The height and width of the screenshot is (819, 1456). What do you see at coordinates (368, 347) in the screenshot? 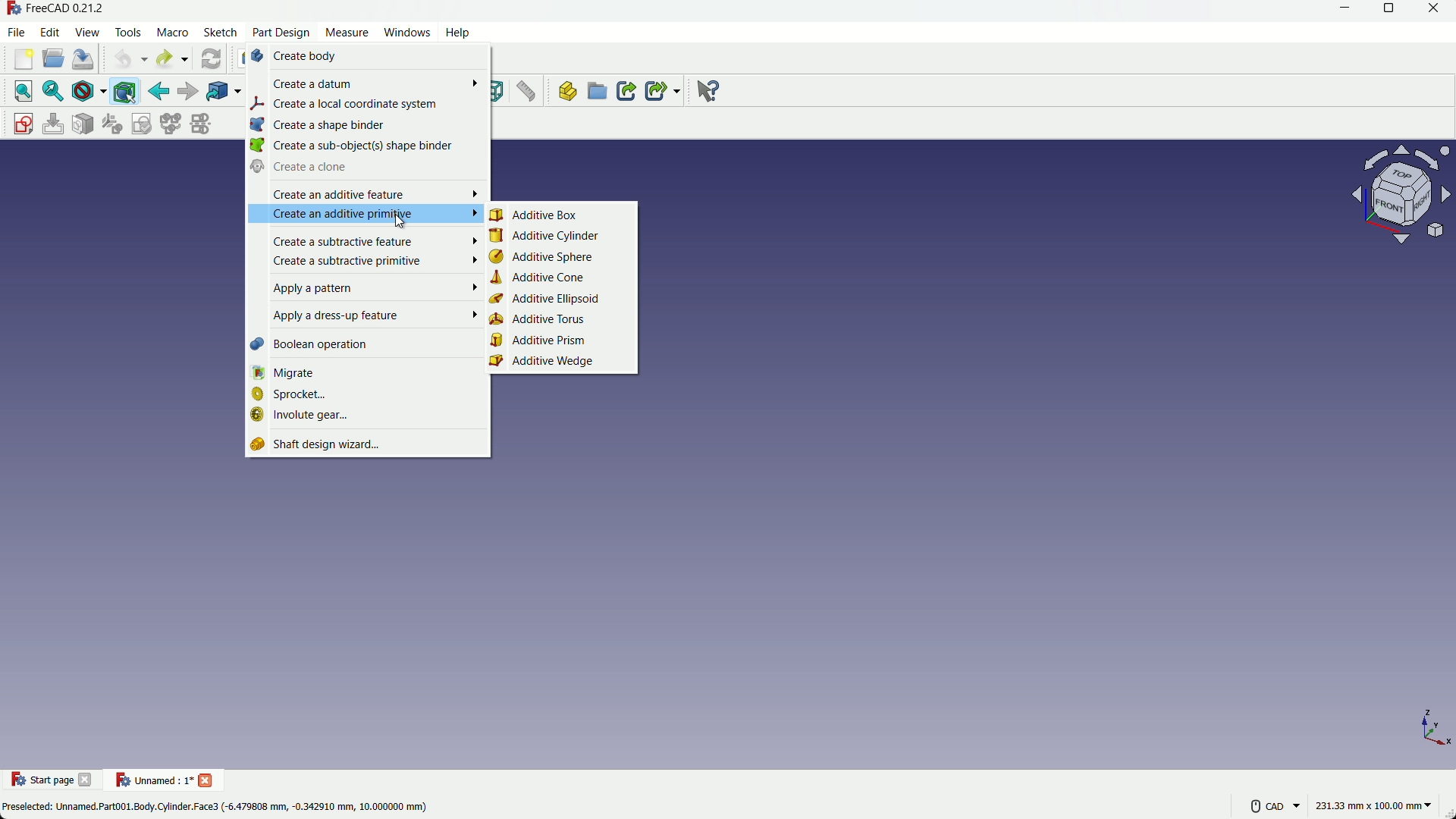
I see `boolean operation` at bounding box center [368, 347].